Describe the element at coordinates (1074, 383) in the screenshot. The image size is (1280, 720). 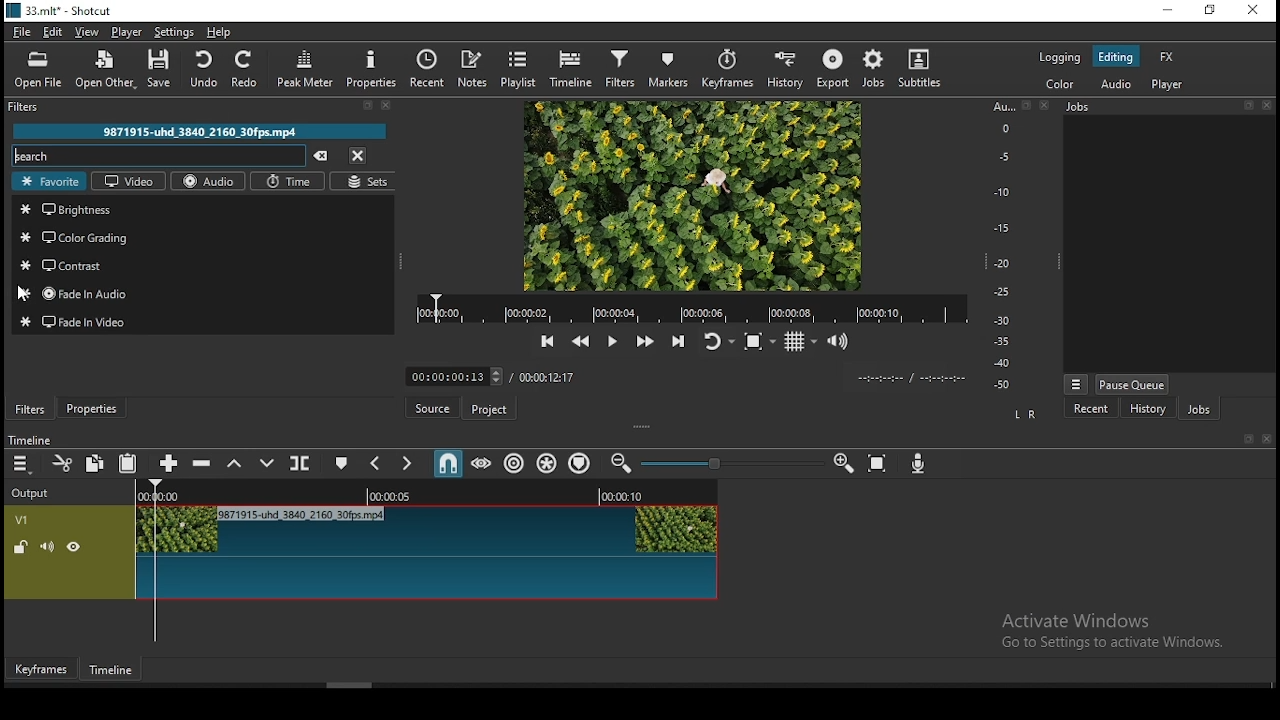
I see `more` at that location.